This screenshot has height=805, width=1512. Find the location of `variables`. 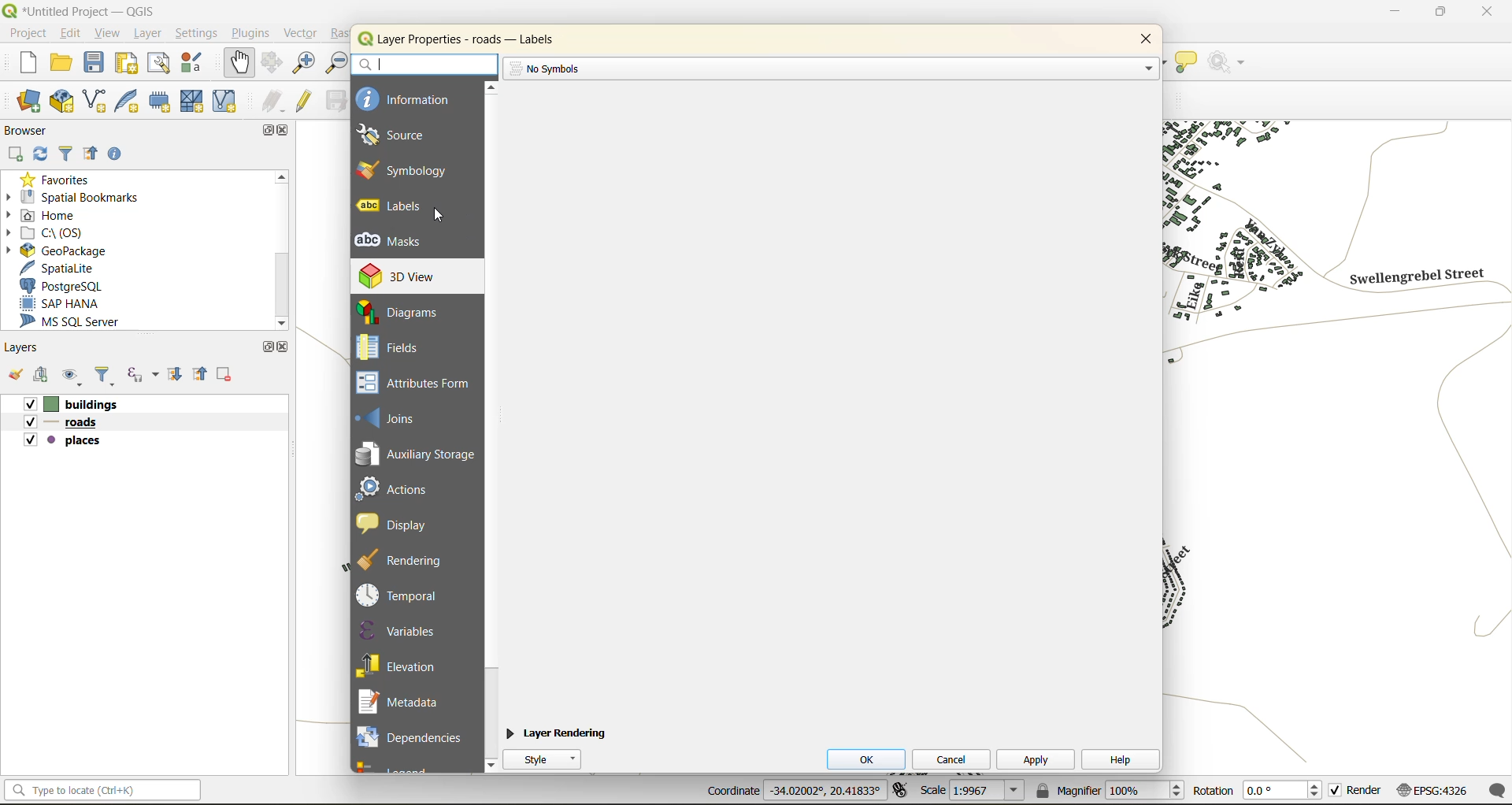

variables is located at coordinates (400, 630).